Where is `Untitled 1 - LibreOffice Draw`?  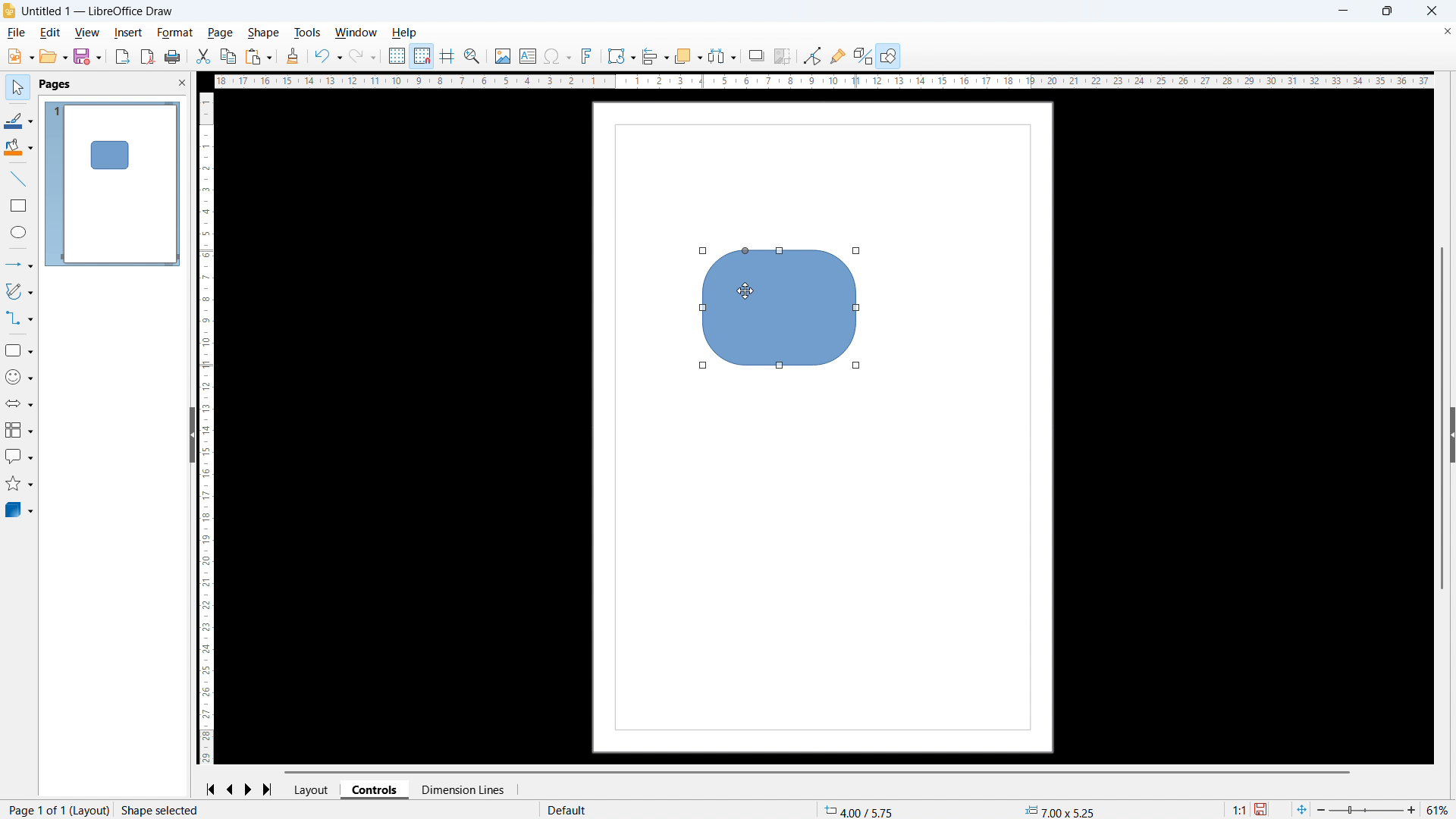 Untitled 1 - LibreOffice Draw is located at coordinates (100, 12).